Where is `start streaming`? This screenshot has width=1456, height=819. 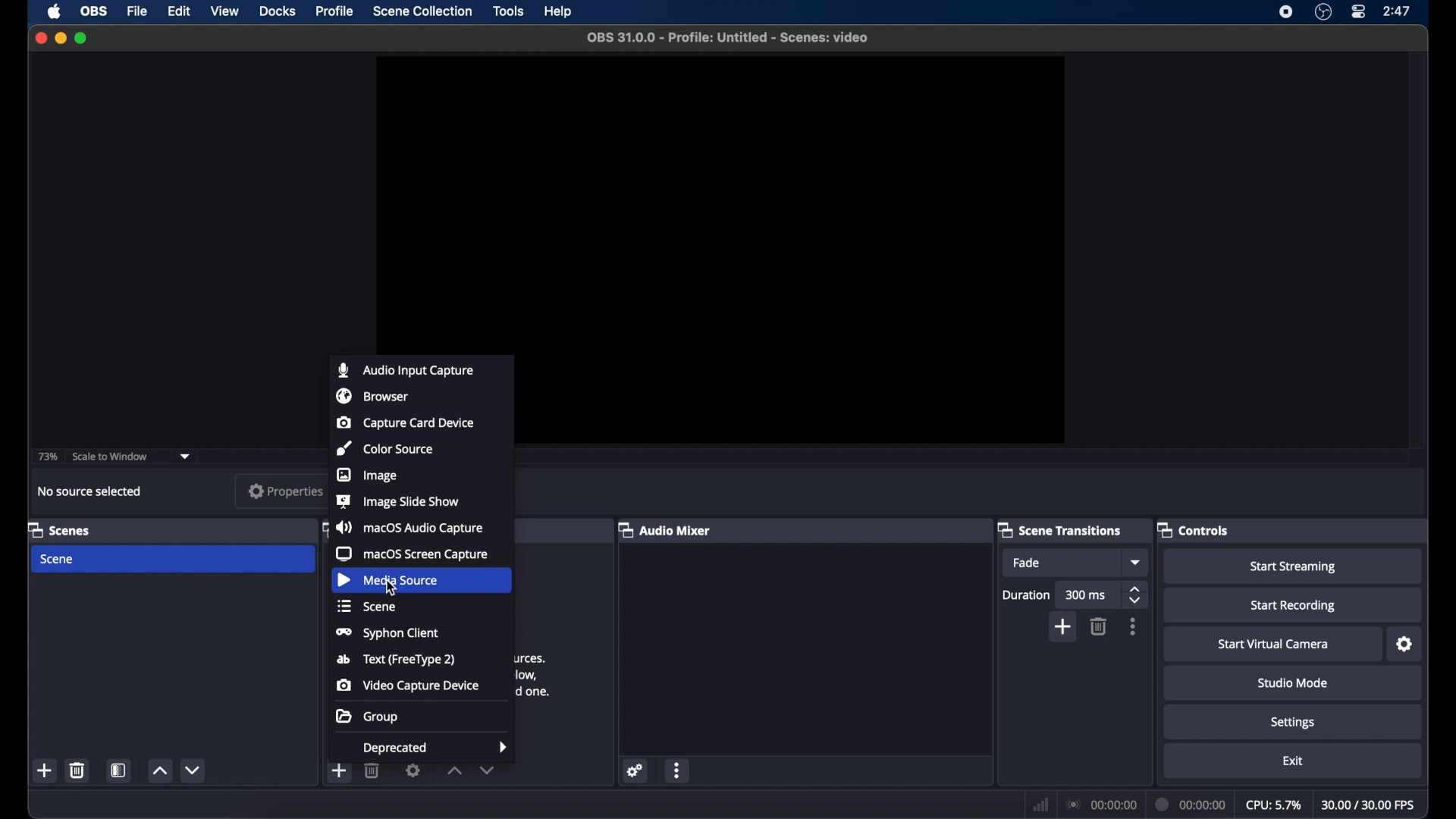 start streaming is located at coordinates (1292, 566).